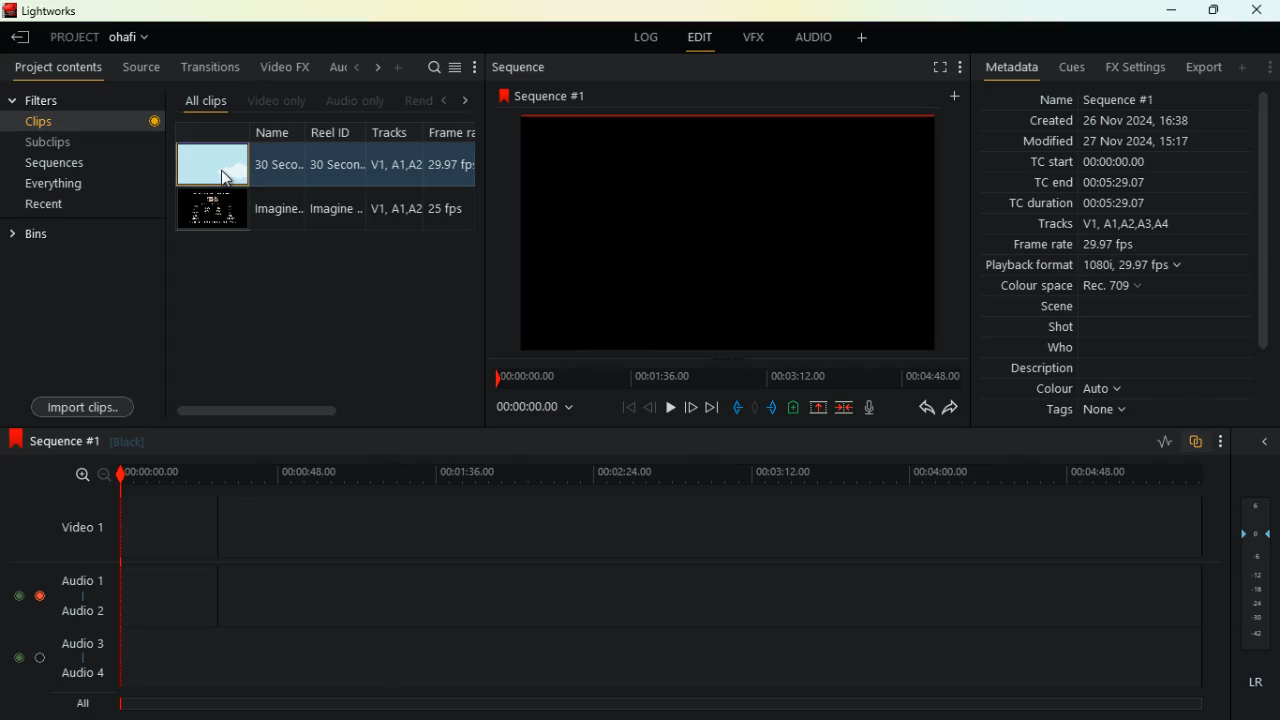  I want to click on close, so click(1261, 9).